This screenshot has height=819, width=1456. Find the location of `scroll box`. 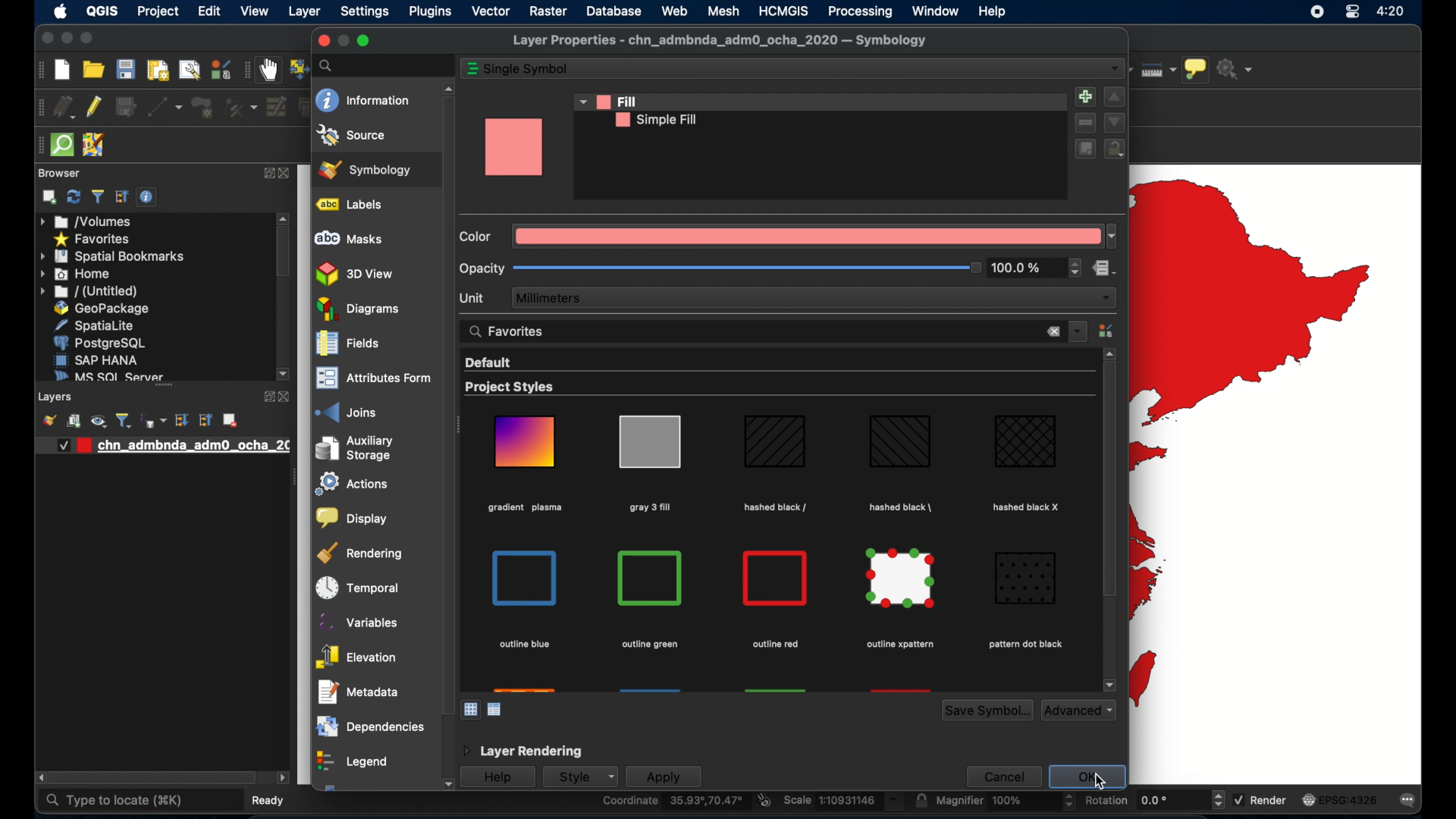

scroll box is located at coordinates (154, 779).